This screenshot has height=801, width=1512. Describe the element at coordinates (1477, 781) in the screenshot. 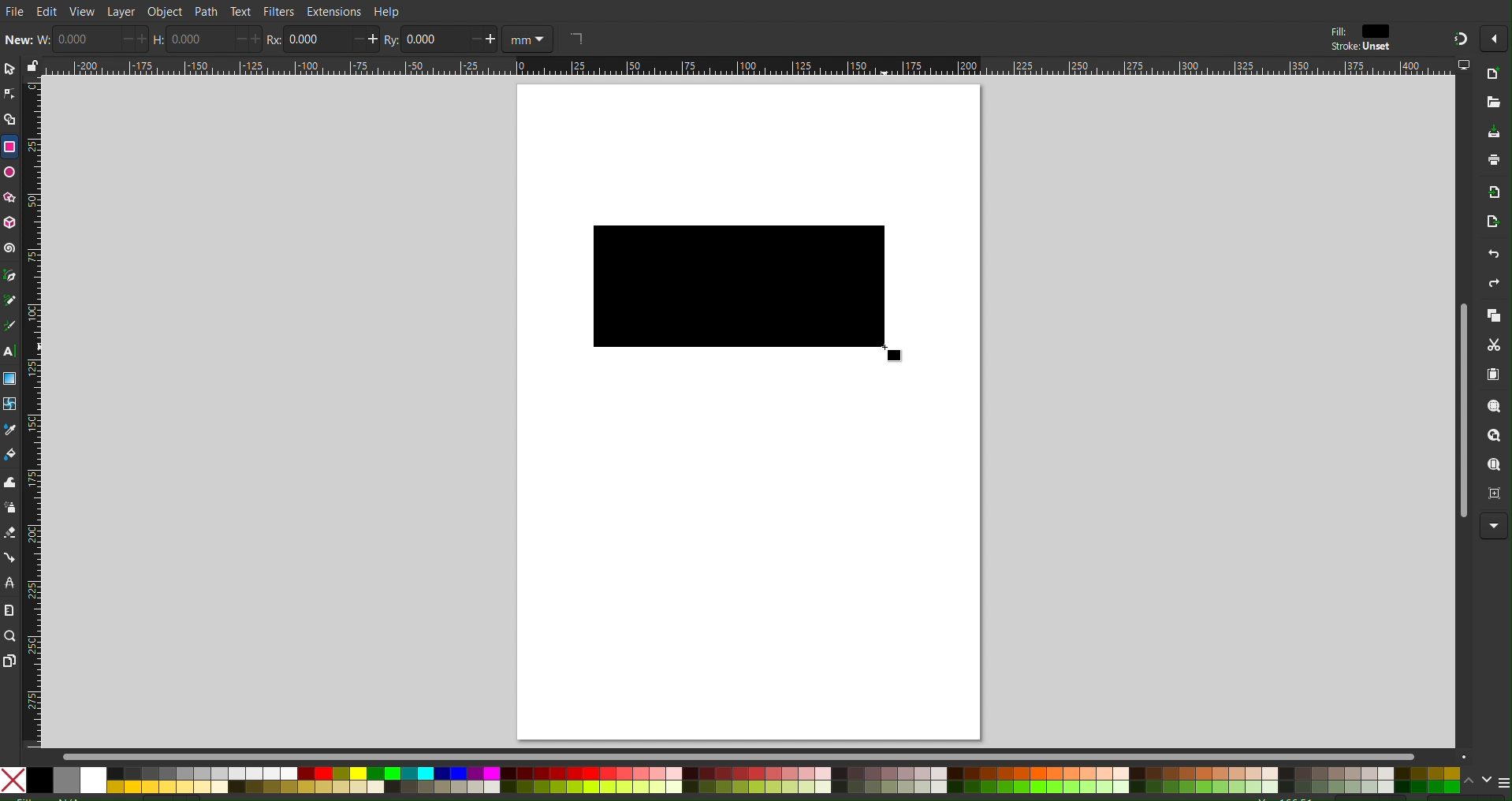

I see `navigate the colors` at that location.